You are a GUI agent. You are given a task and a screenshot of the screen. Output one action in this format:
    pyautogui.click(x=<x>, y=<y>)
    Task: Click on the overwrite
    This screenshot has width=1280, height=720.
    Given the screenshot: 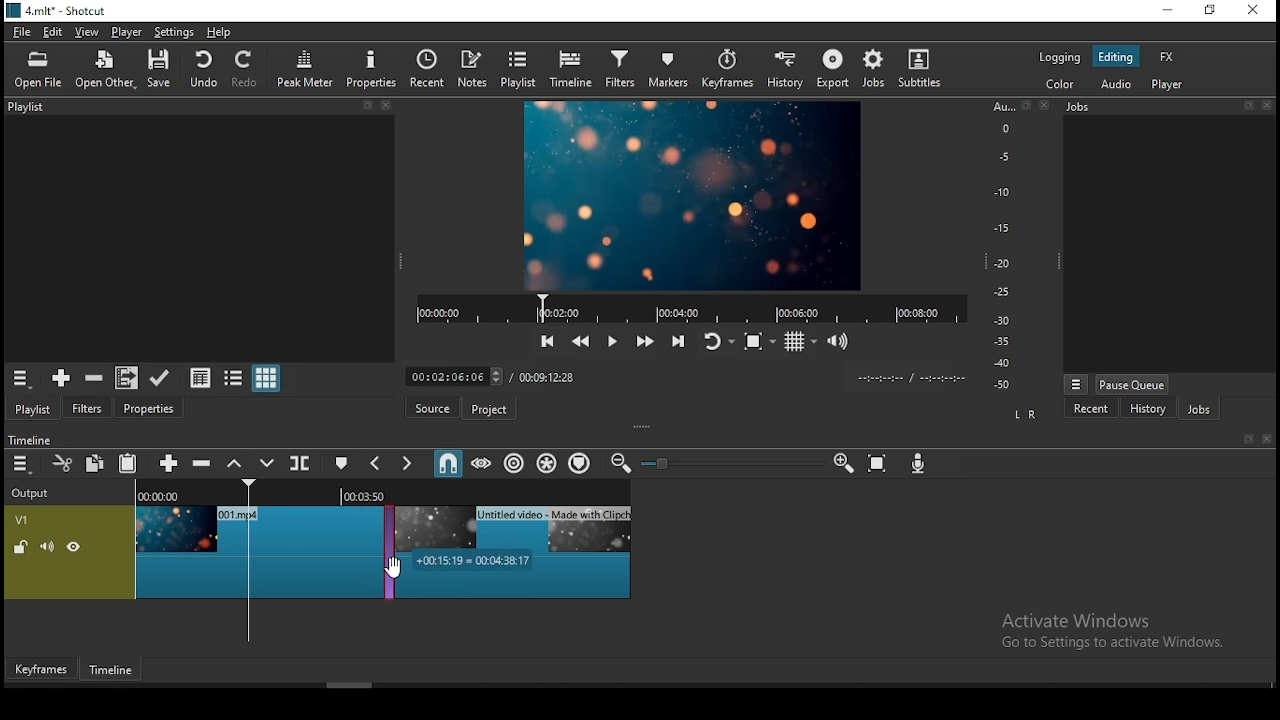 What is the action you would take?
    pyautogui.click(x=267, y=463)
    